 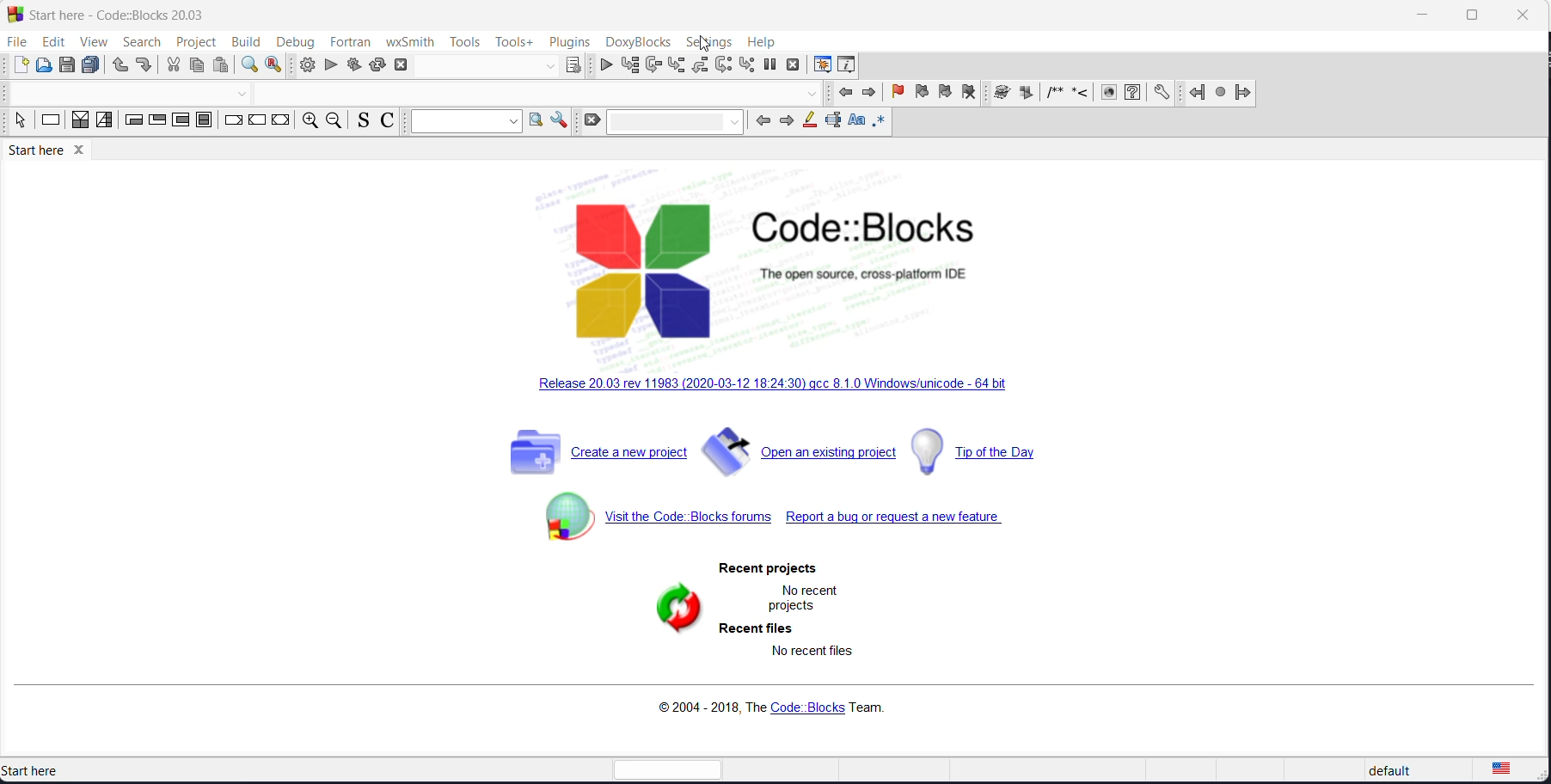 What do you see at coordinates (856, 123) in the screenshot?
I see `match case` at bounding box center [856, 123].